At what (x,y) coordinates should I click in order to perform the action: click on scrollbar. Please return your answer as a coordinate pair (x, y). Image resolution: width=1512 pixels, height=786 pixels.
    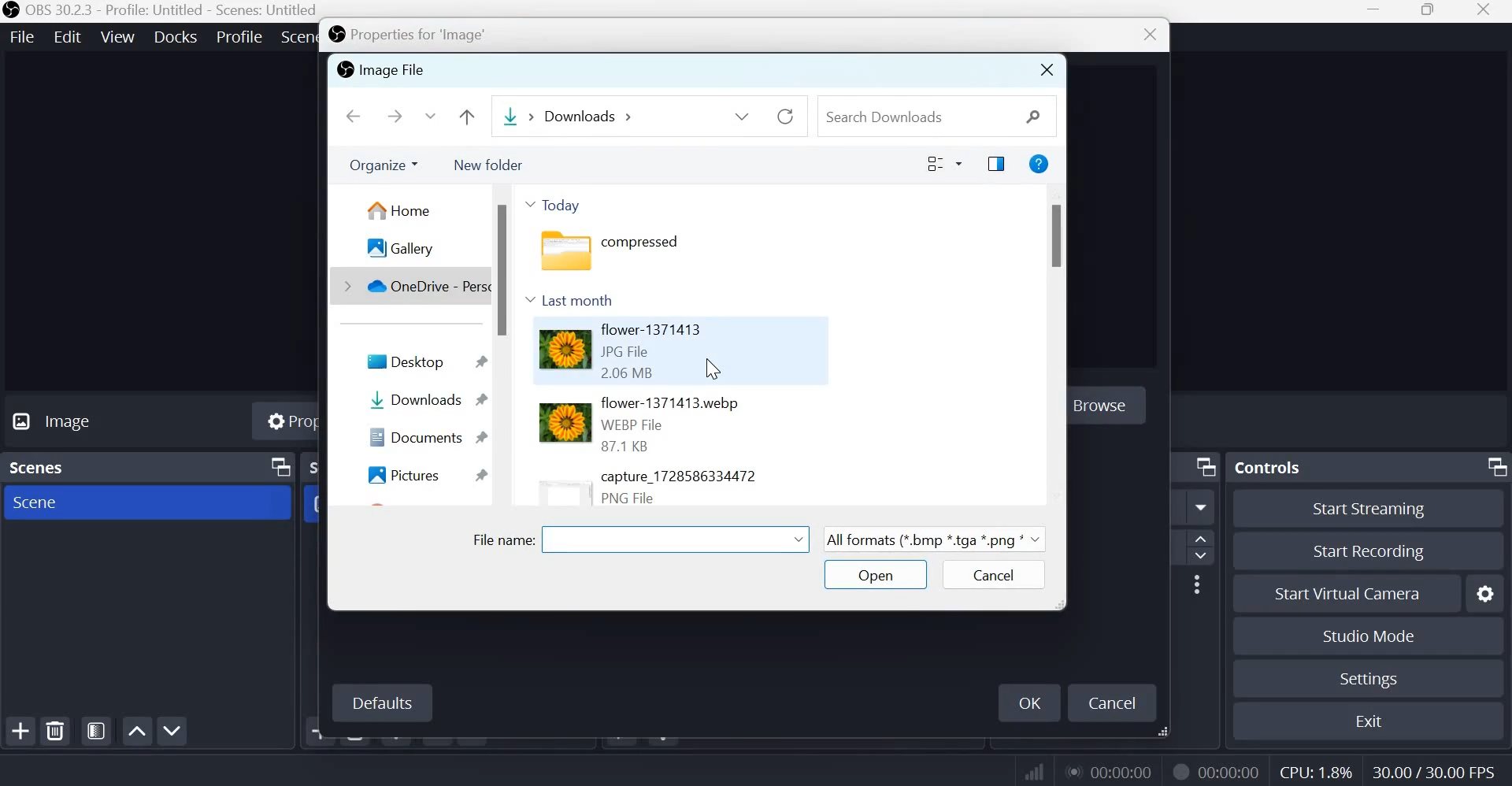
    Looking at the image, I should click on (1058, 344).